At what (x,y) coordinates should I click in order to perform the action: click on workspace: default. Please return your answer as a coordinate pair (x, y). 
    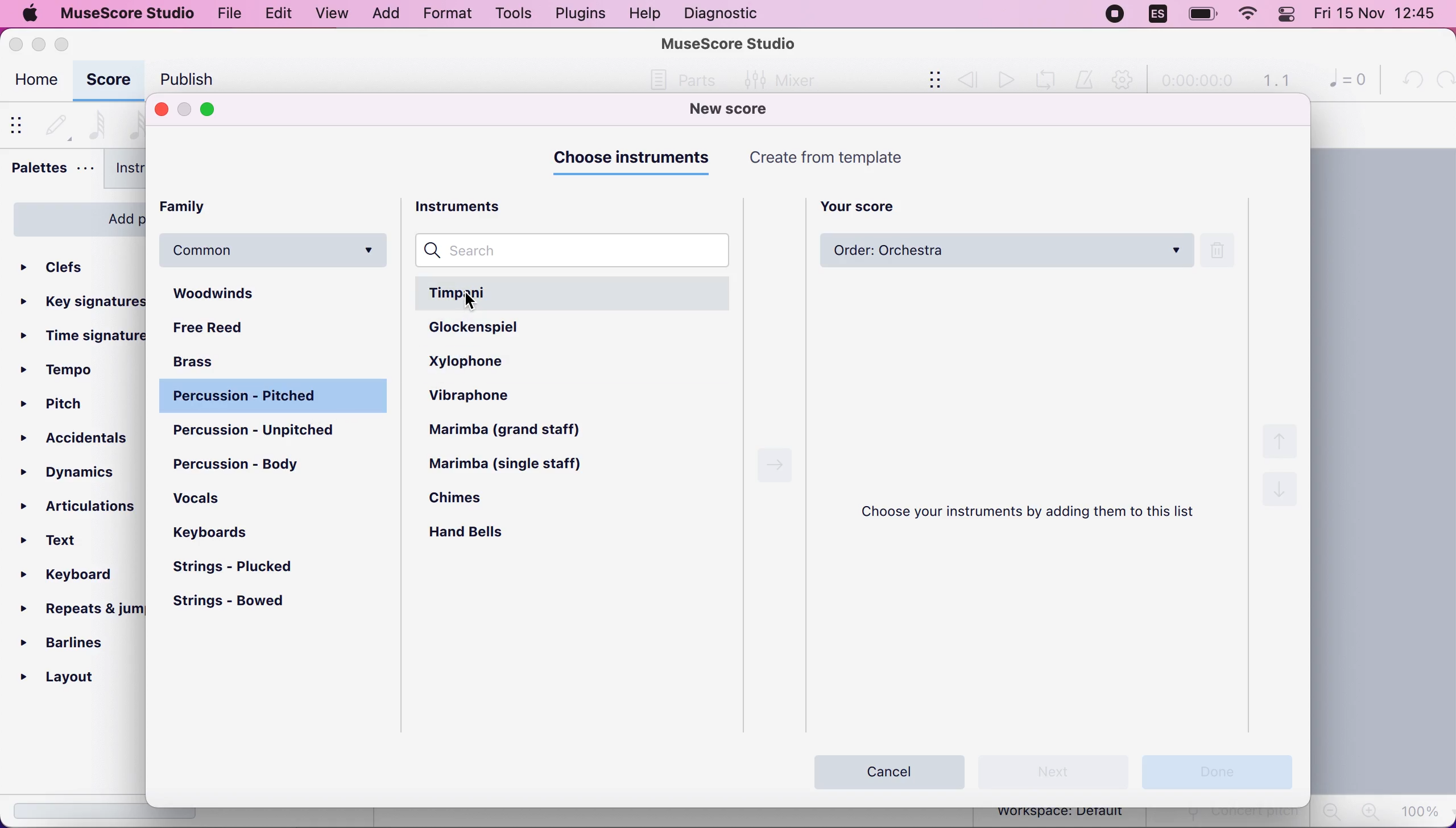
    Looking at the image, I should click on (1064, 814).